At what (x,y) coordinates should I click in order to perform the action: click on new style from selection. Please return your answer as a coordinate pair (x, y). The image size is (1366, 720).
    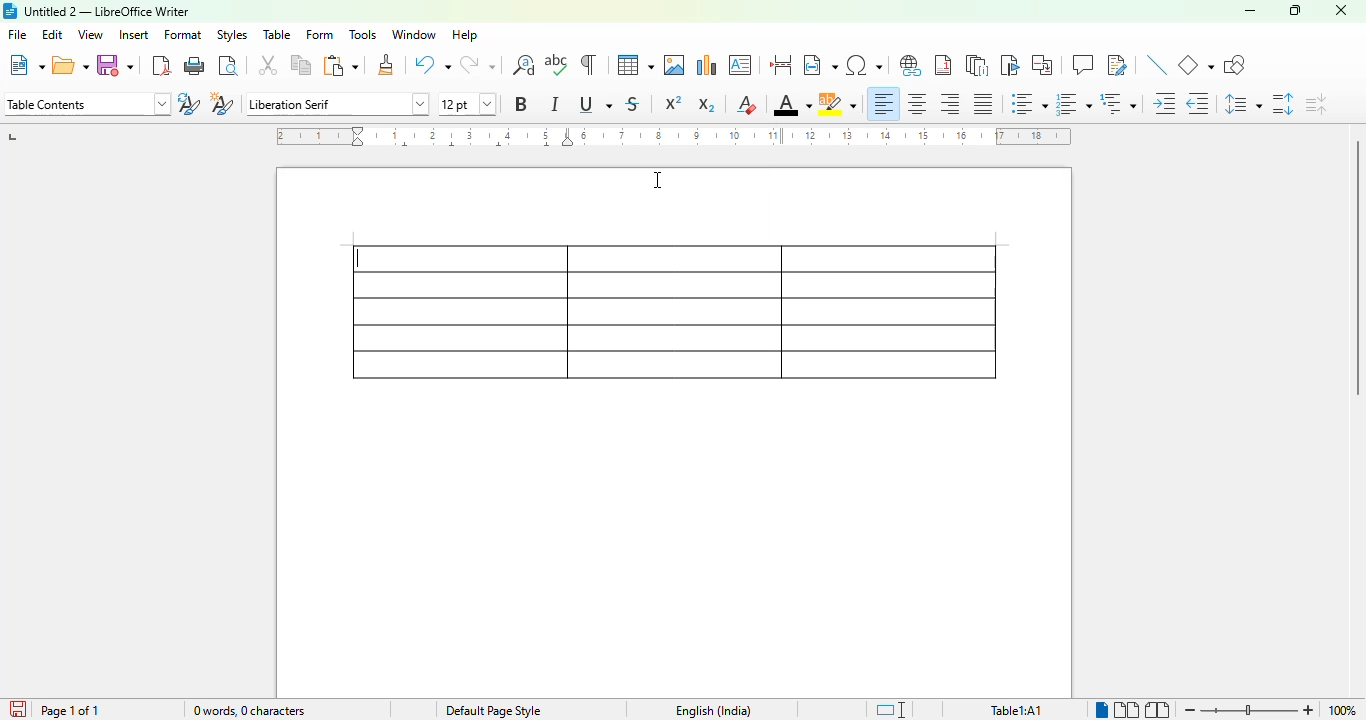
    Looking at the image, I should click on (222, 104).